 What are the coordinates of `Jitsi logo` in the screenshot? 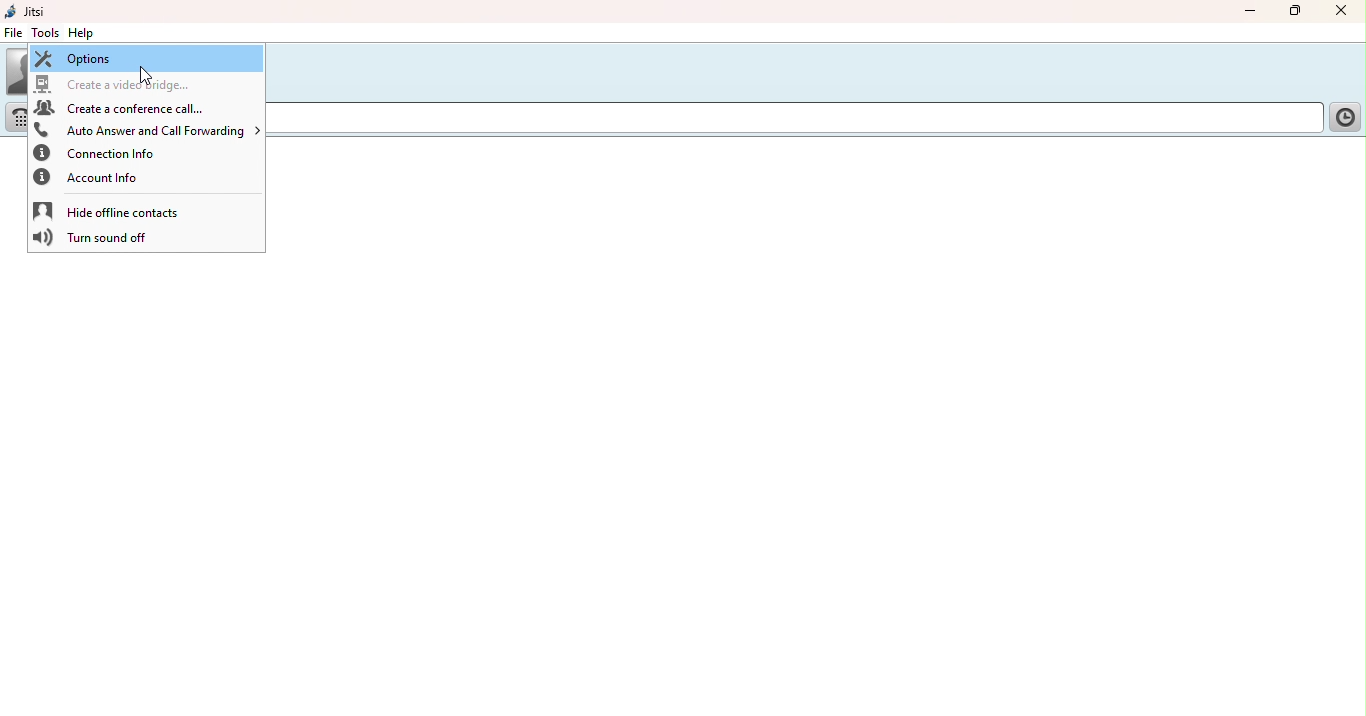 It's located at (29, 11).